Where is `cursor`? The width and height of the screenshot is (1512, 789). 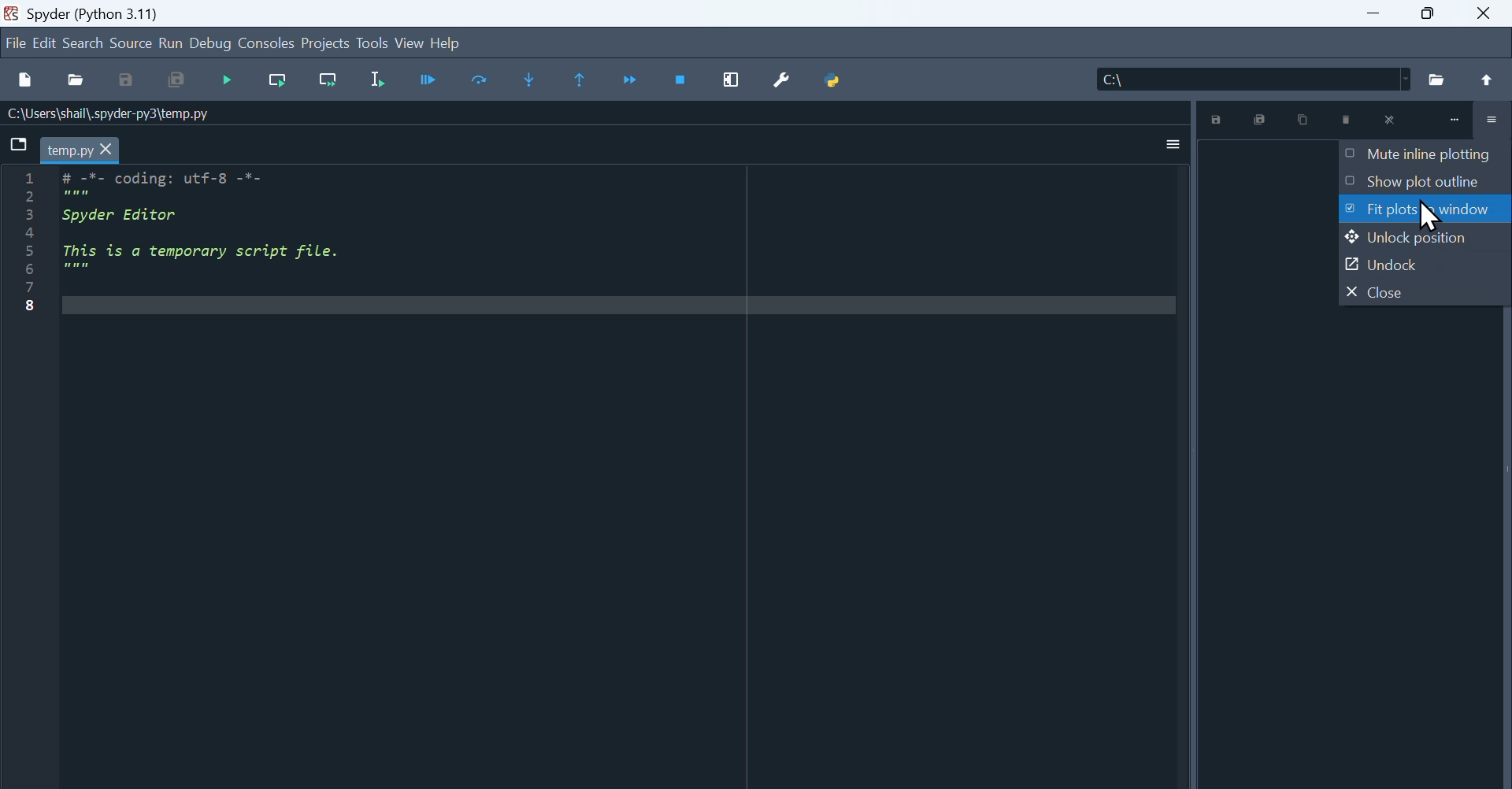
cursor is located at coordinates (1429, 217).